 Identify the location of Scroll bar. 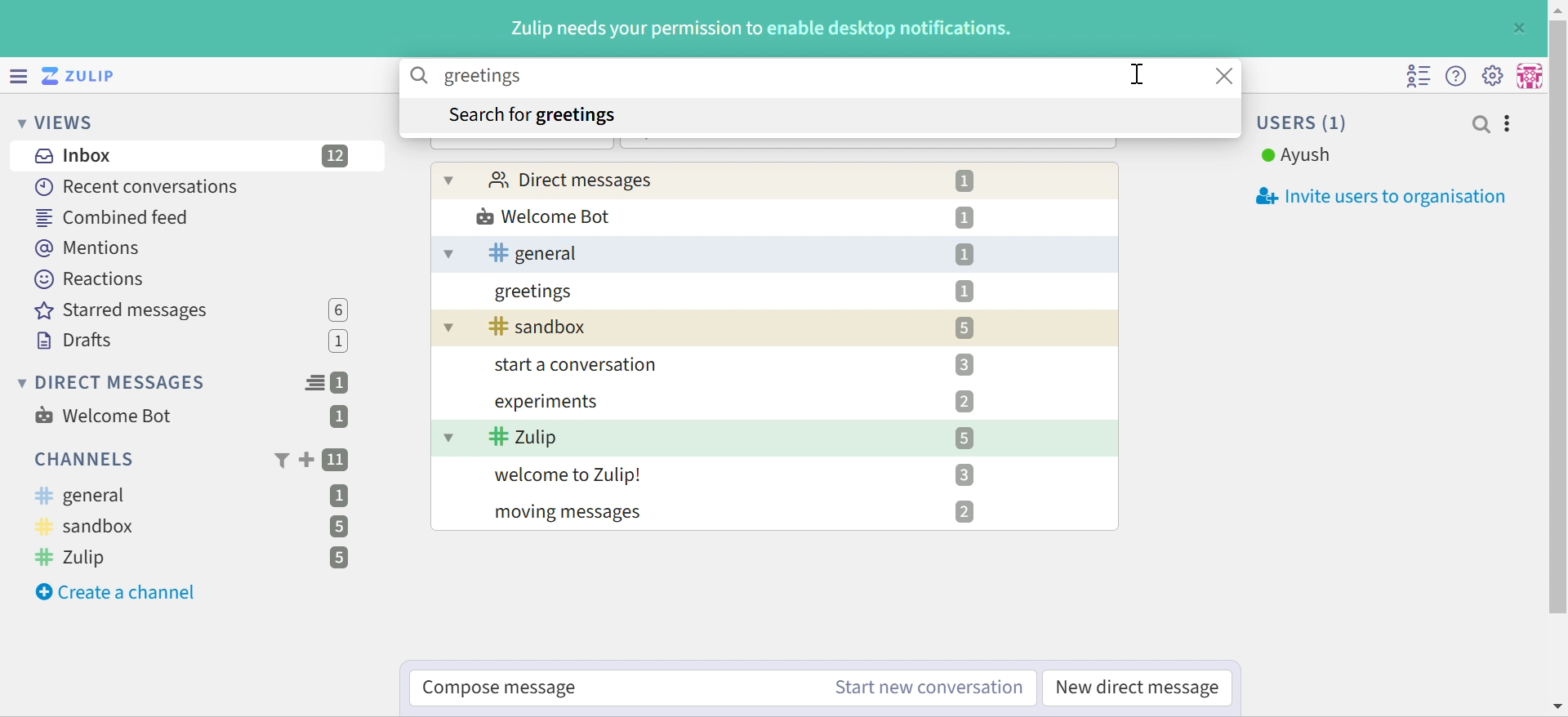
(1558, 317).